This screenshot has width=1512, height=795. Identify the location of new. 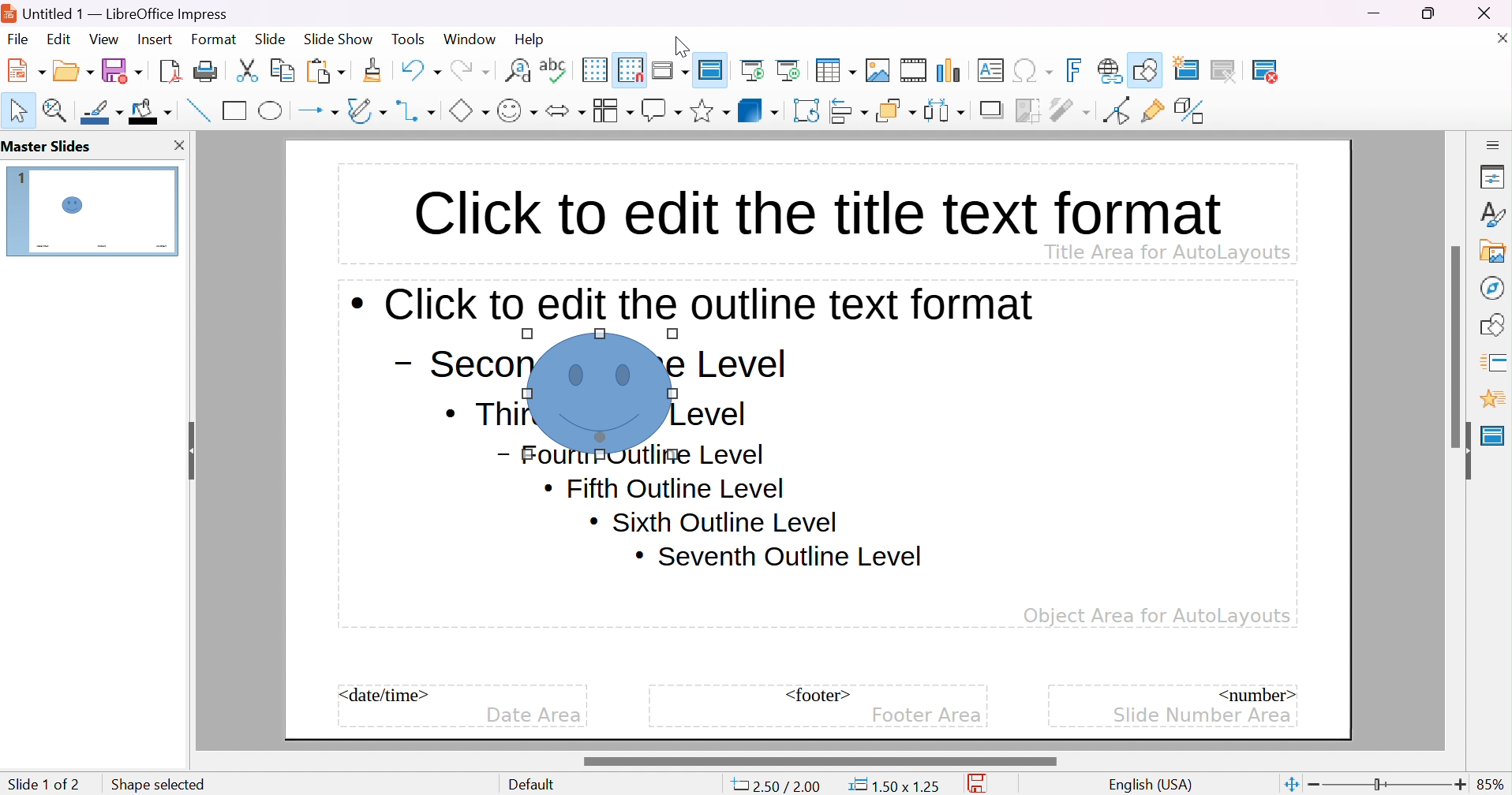
(28, 69).